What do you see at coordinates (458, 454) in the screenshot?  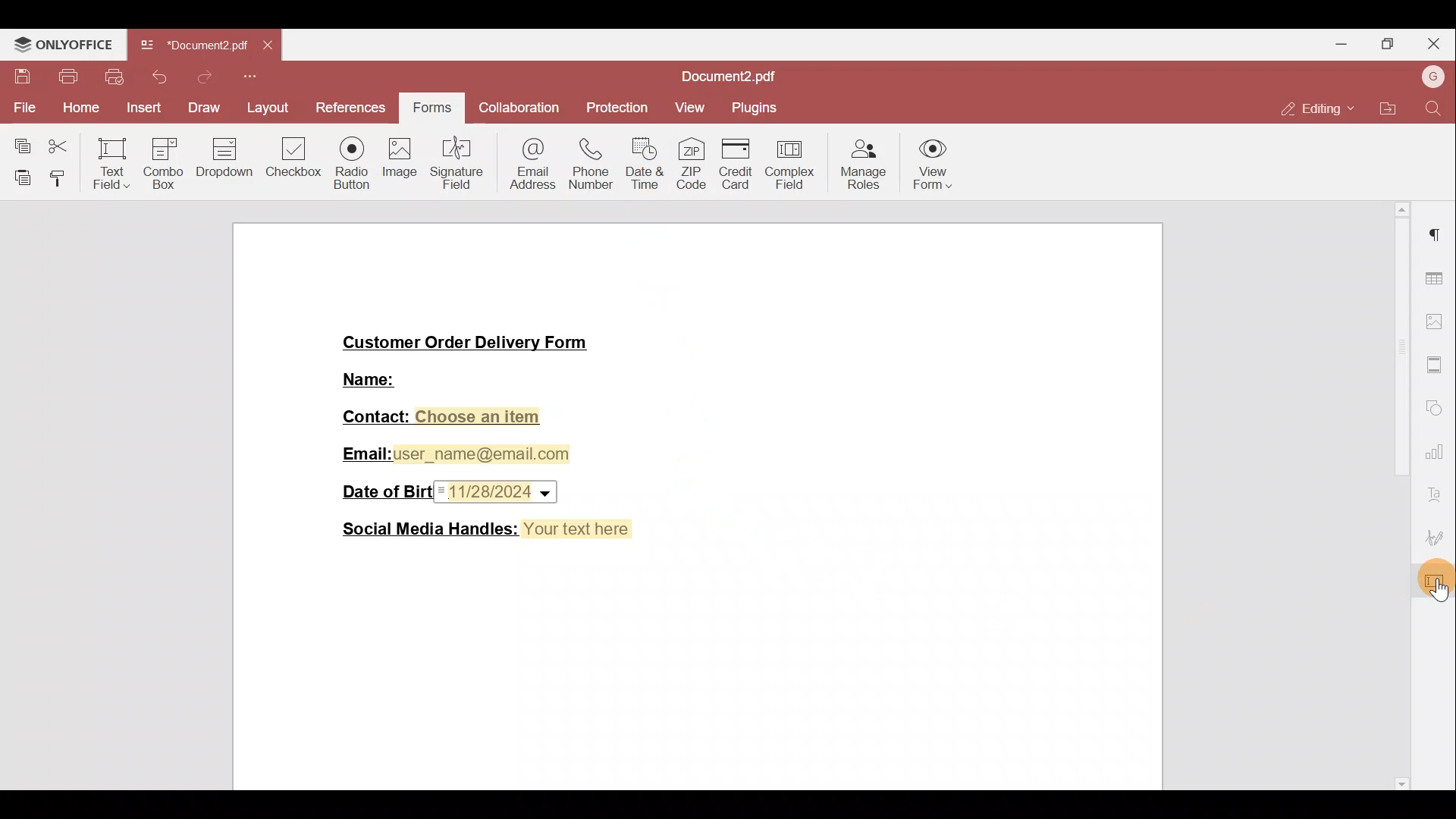 I see `Email:user_name@email.com` at bounding box center [458, 454].